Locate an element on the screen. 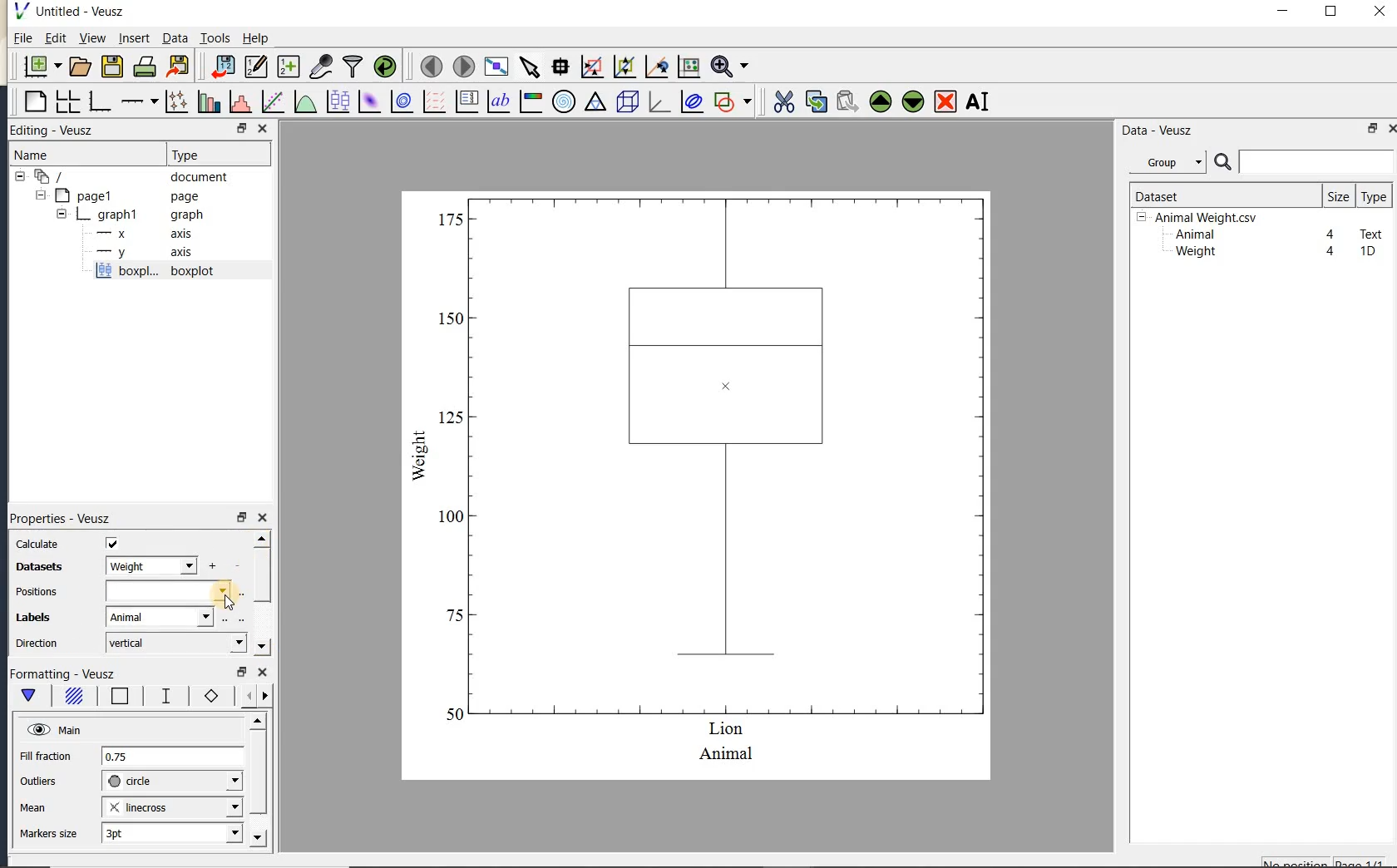 The height and width of the screenshot is (868, 1397). base graph is located at coordinates (98, 101).